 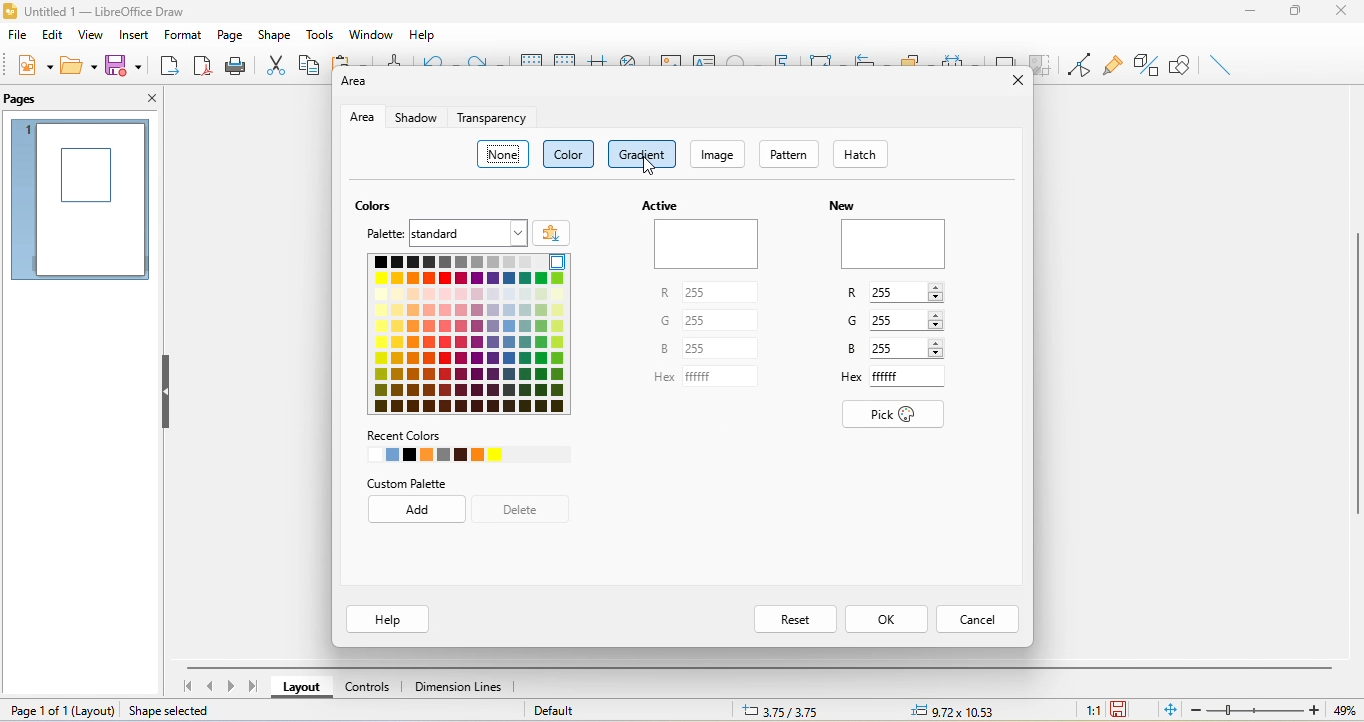 What do you see at coordinates (721, 377) in the screenshot?
I see `ffffff` at bounding box center [721, 377].